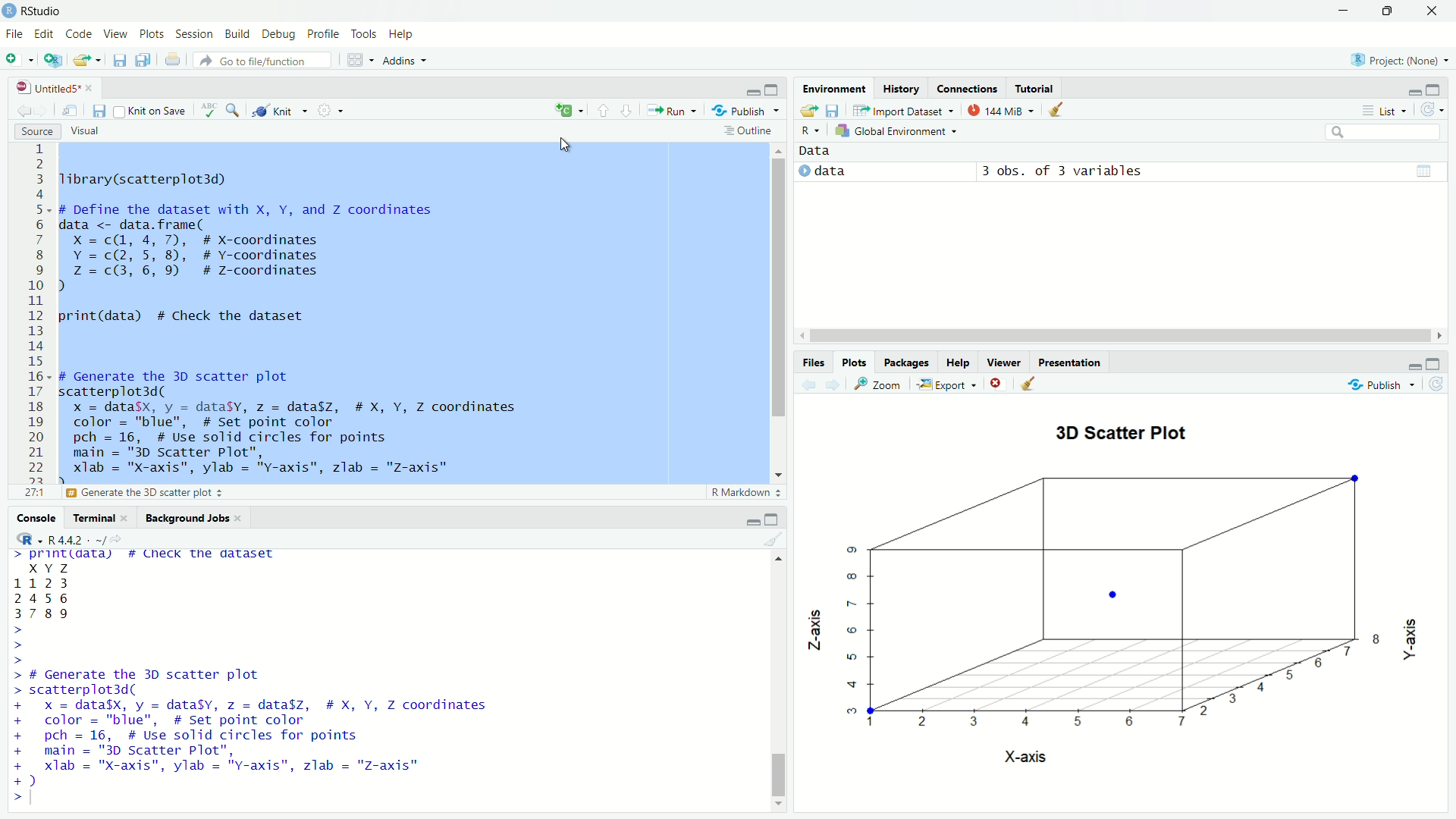 This screenshot has height=819, width=1456. What do you see at coordinates (1439, 386) in the screenshot?
I see `refresh` at bounding box center [1439, 386].